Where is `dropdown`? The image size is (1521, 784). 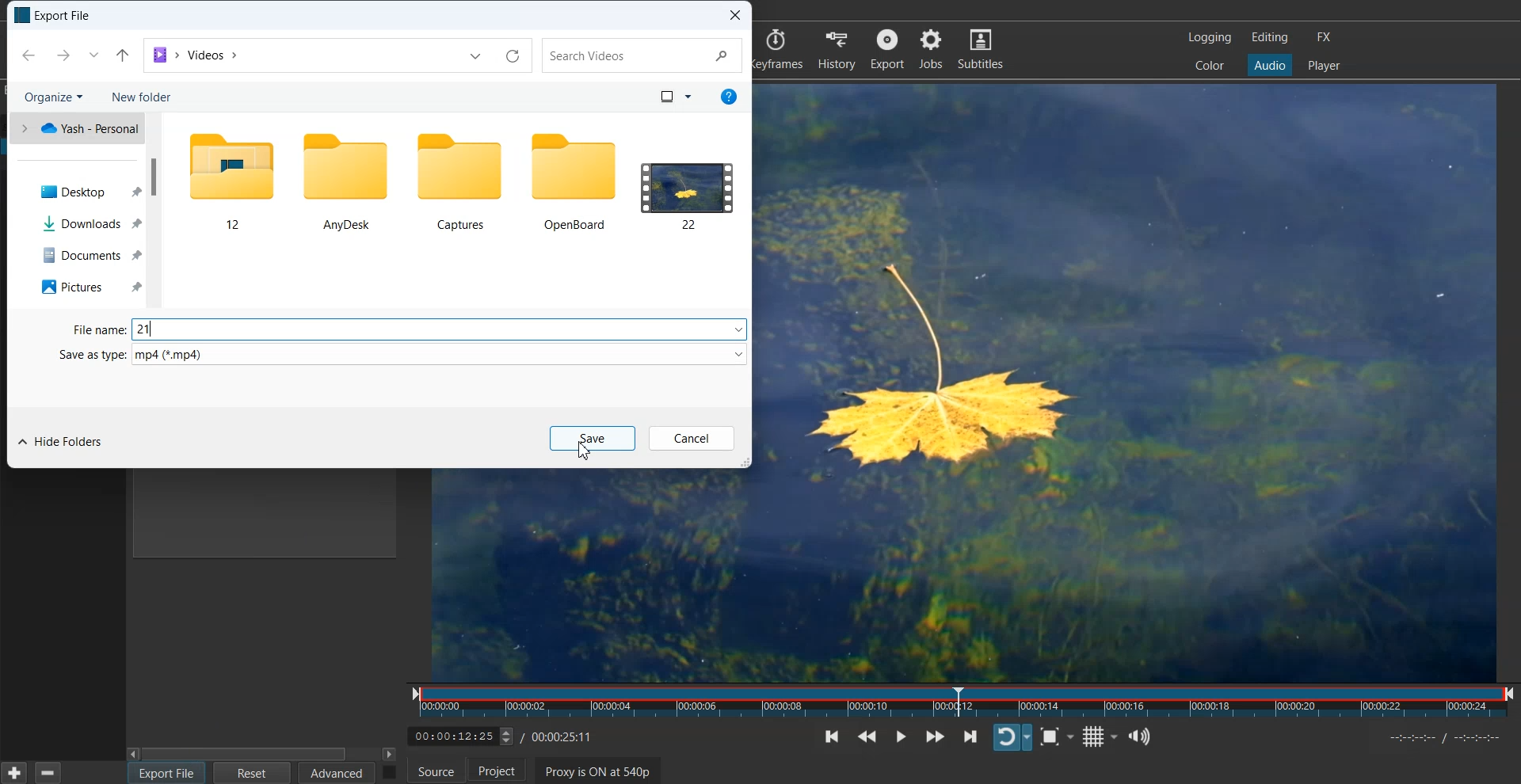
dropdown is located at coordinates (473, 57).